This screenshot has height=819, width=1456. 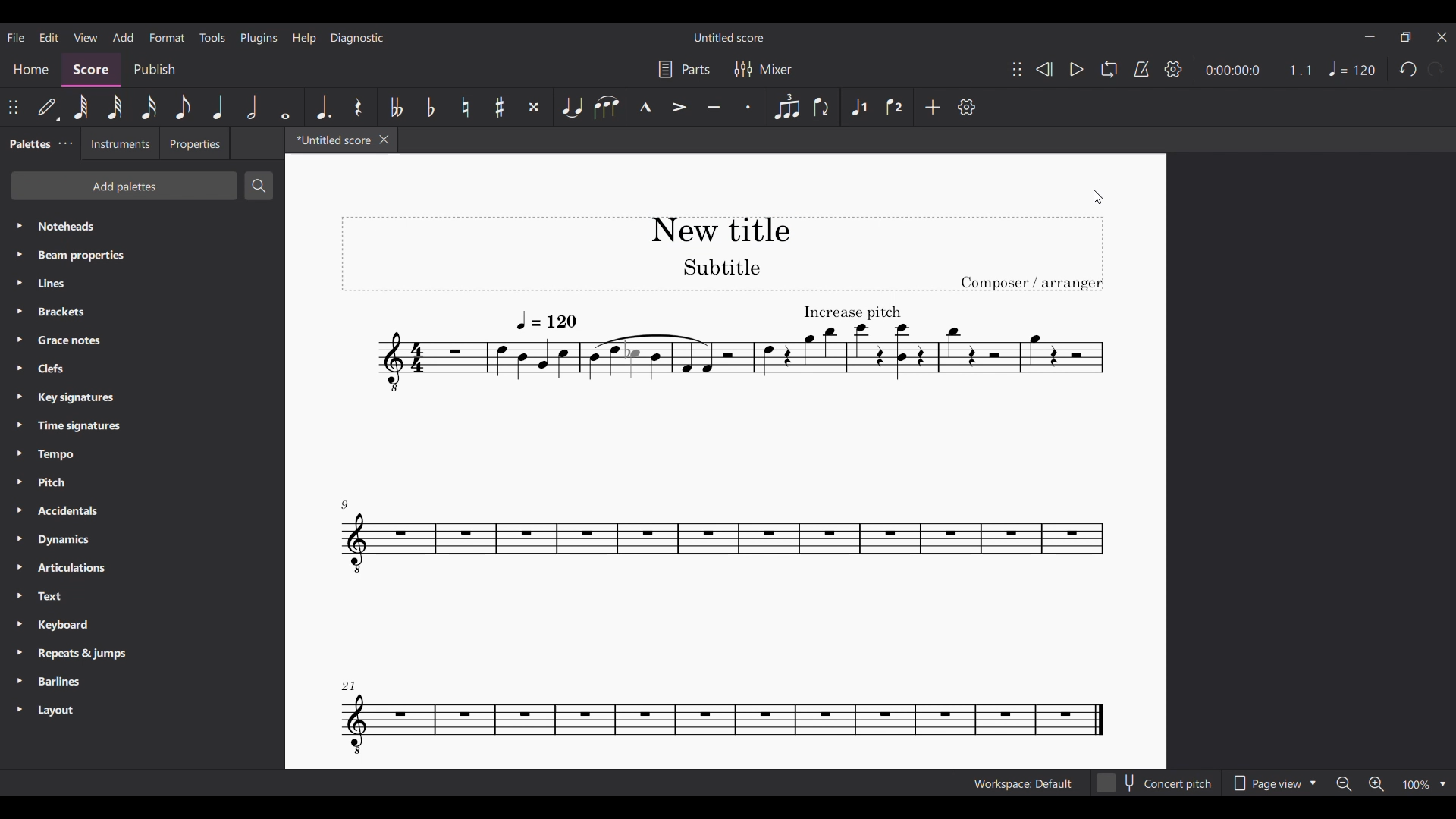 What do you see at coordinates (143, 624) in the screenshot?
I see `Keyboard` at bounding box center [143, 624].